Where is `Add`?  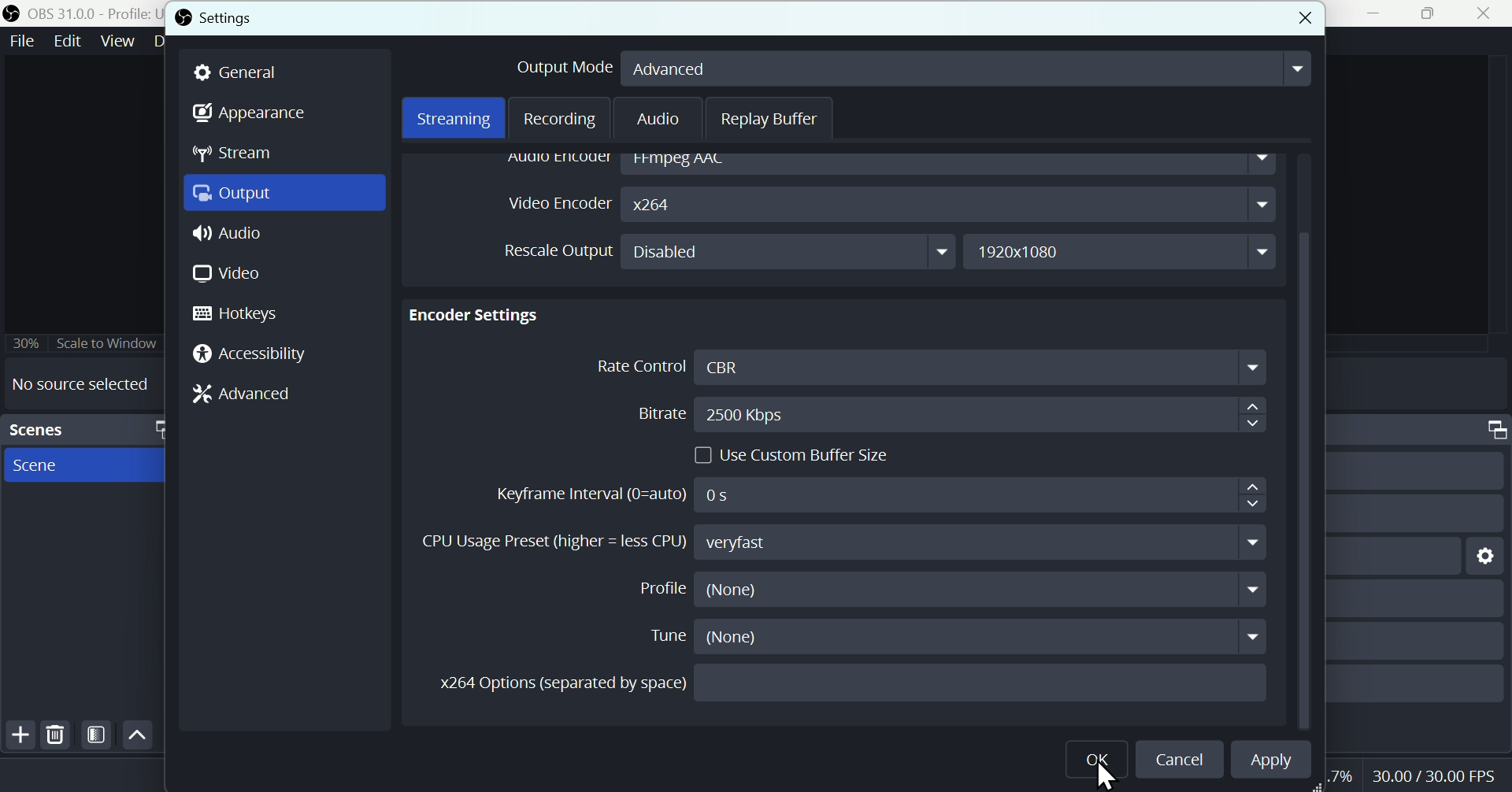 Add is located at coordinates (18, 735).